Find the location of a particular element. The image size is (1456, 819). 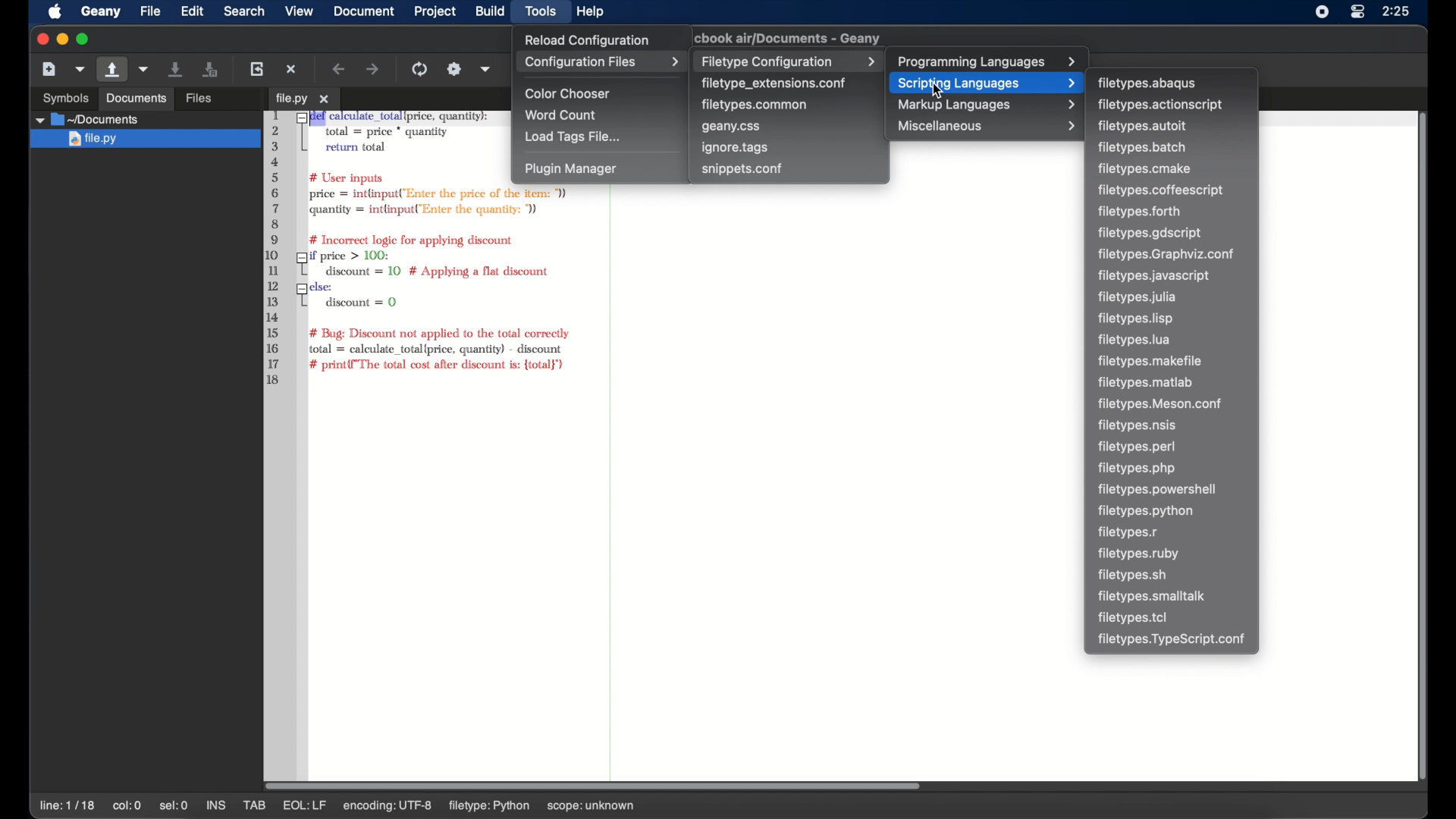

scripting languages is located at coordinates (984, 83).